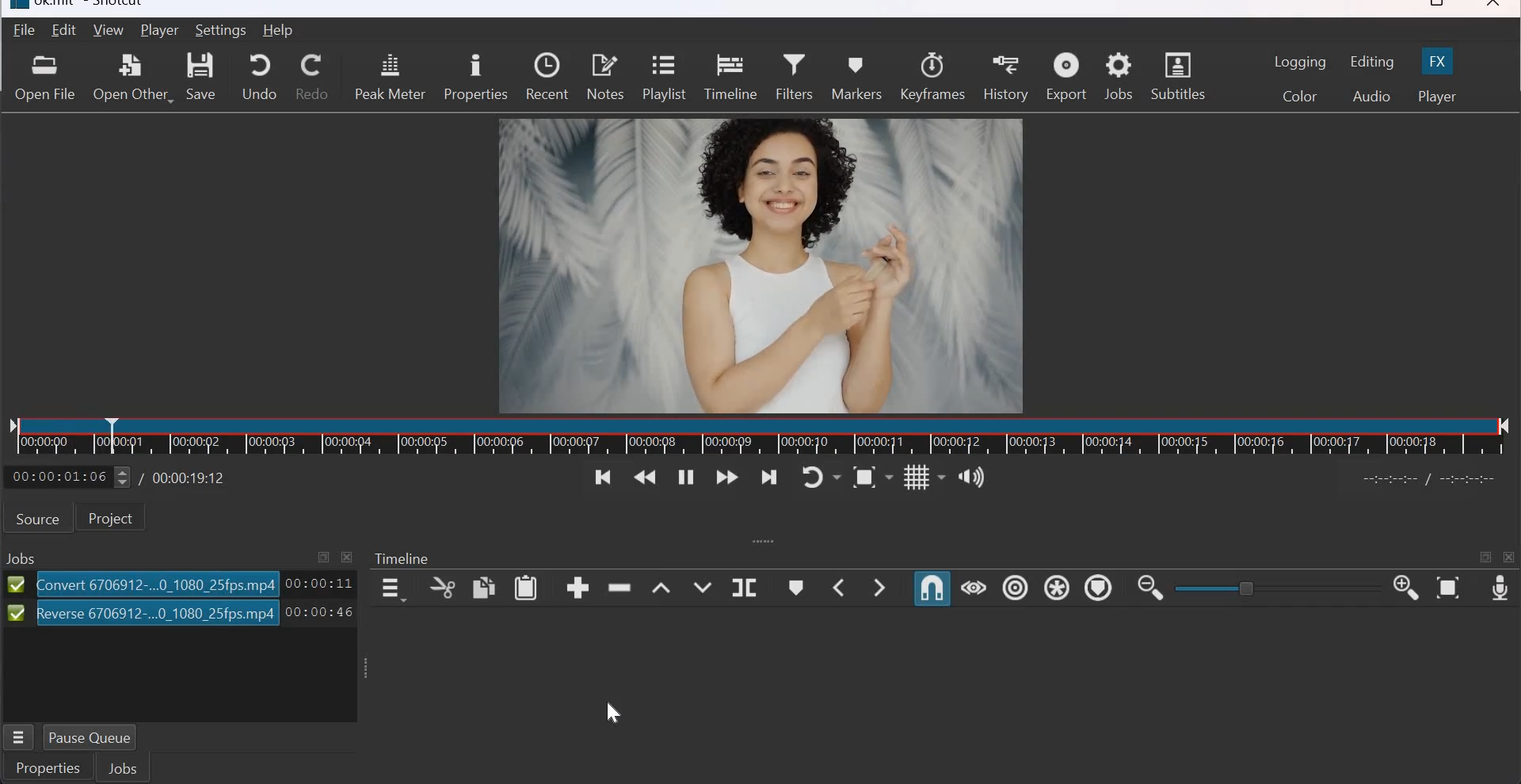 This screenshot has width=1521, height=784. I want to click on Source, so click(38, 518).